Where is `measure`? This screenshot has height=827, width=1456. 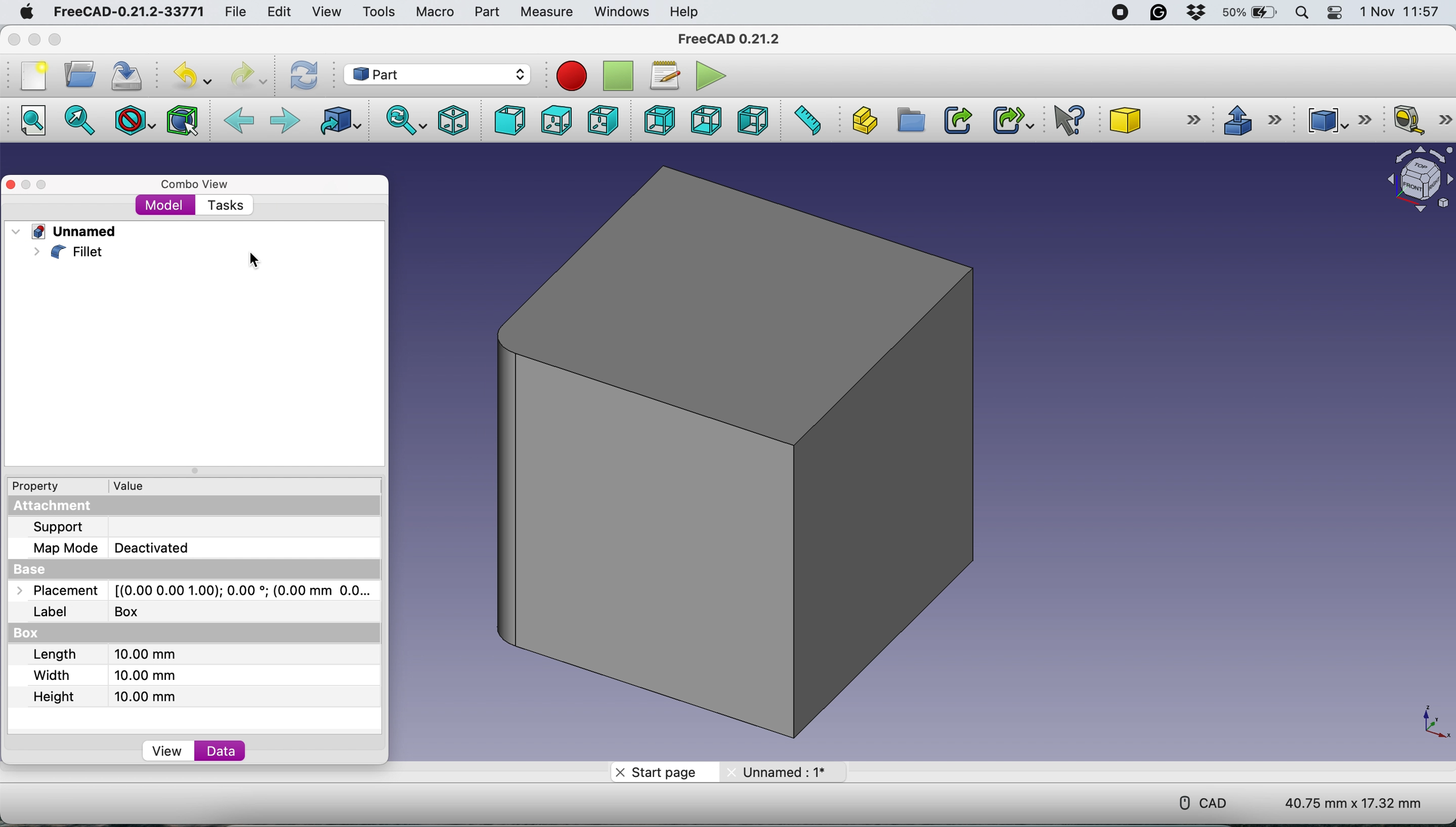
measure is located at coordinates (546, 12).